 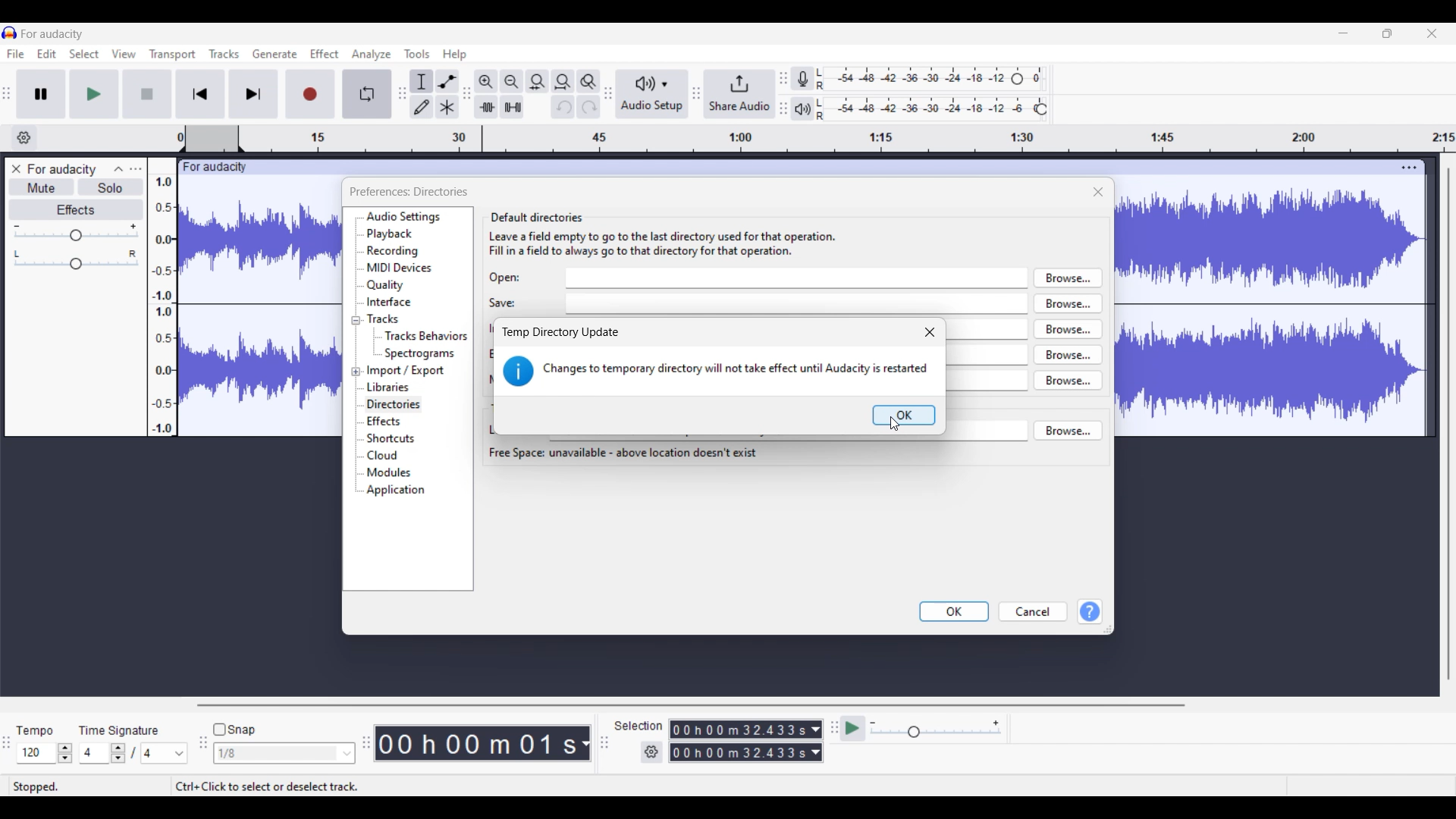 What do you see at coordinates (639, 726) in the screenshot?
I see `Indicates selection duration` at bounding box center [639, 726].